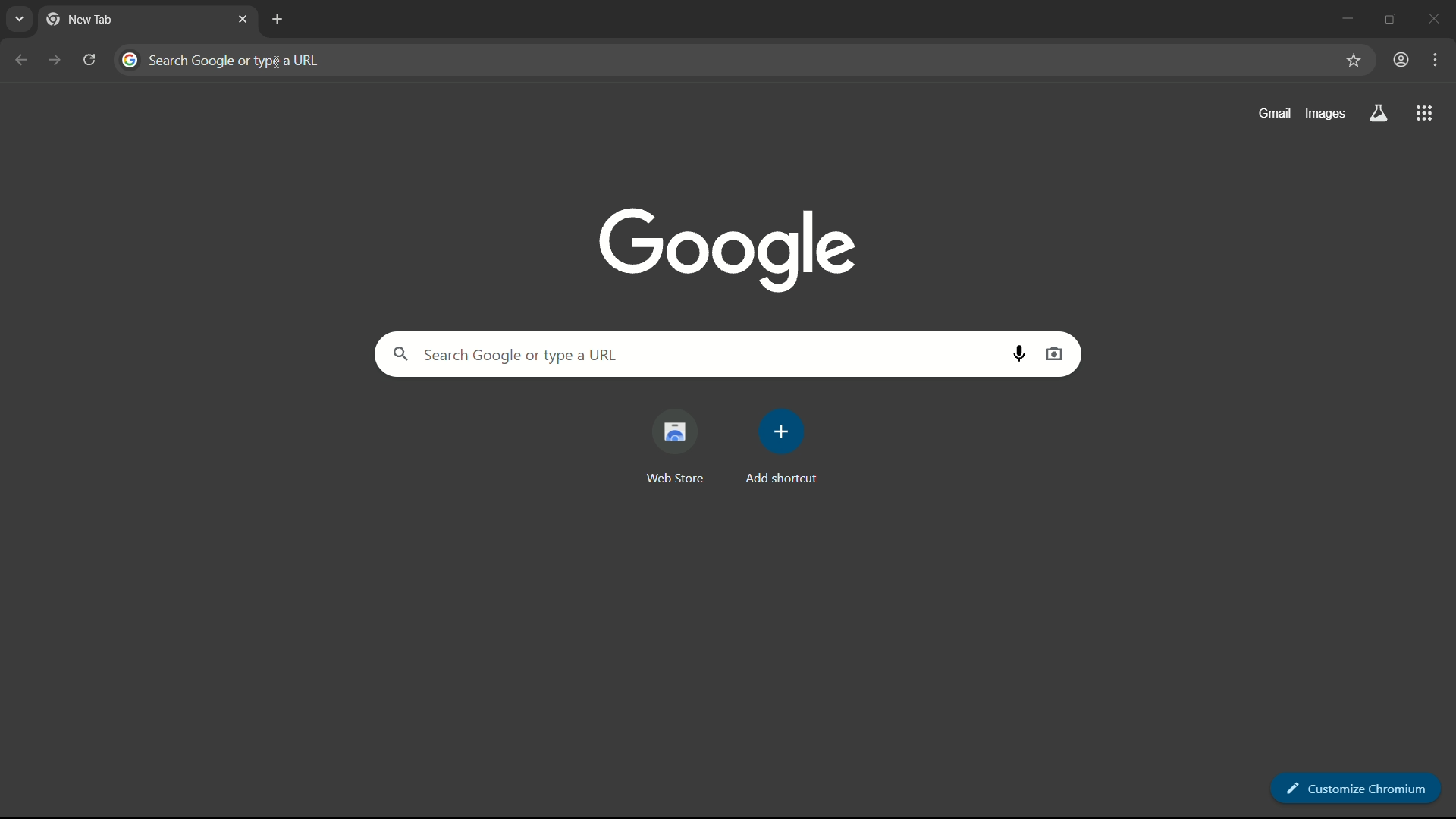 This screenshot has width=1456, height=819. I want to click on images, so click(1327, 114).